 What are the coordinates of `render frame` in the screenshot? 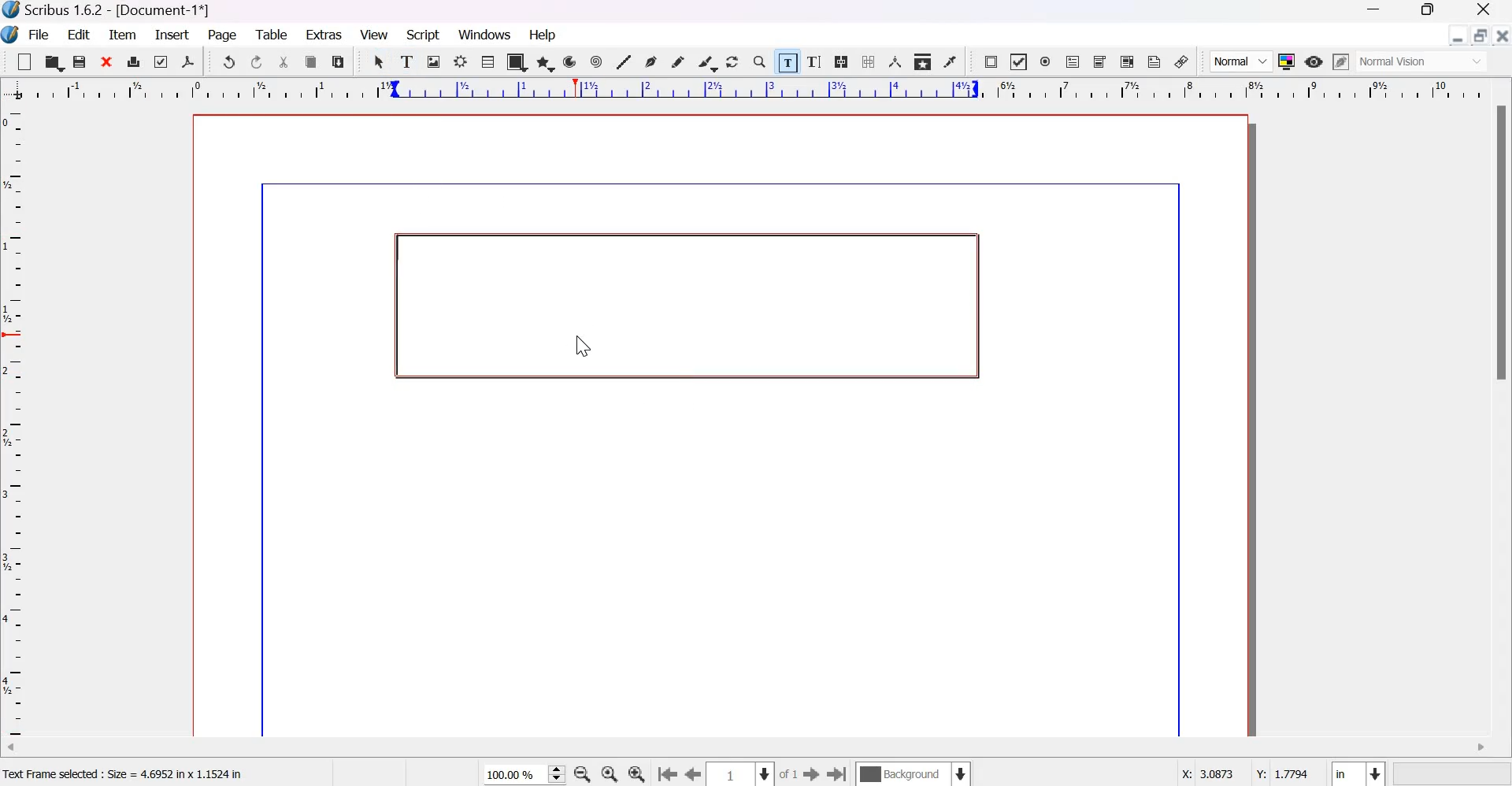 It's located at (461, 61).